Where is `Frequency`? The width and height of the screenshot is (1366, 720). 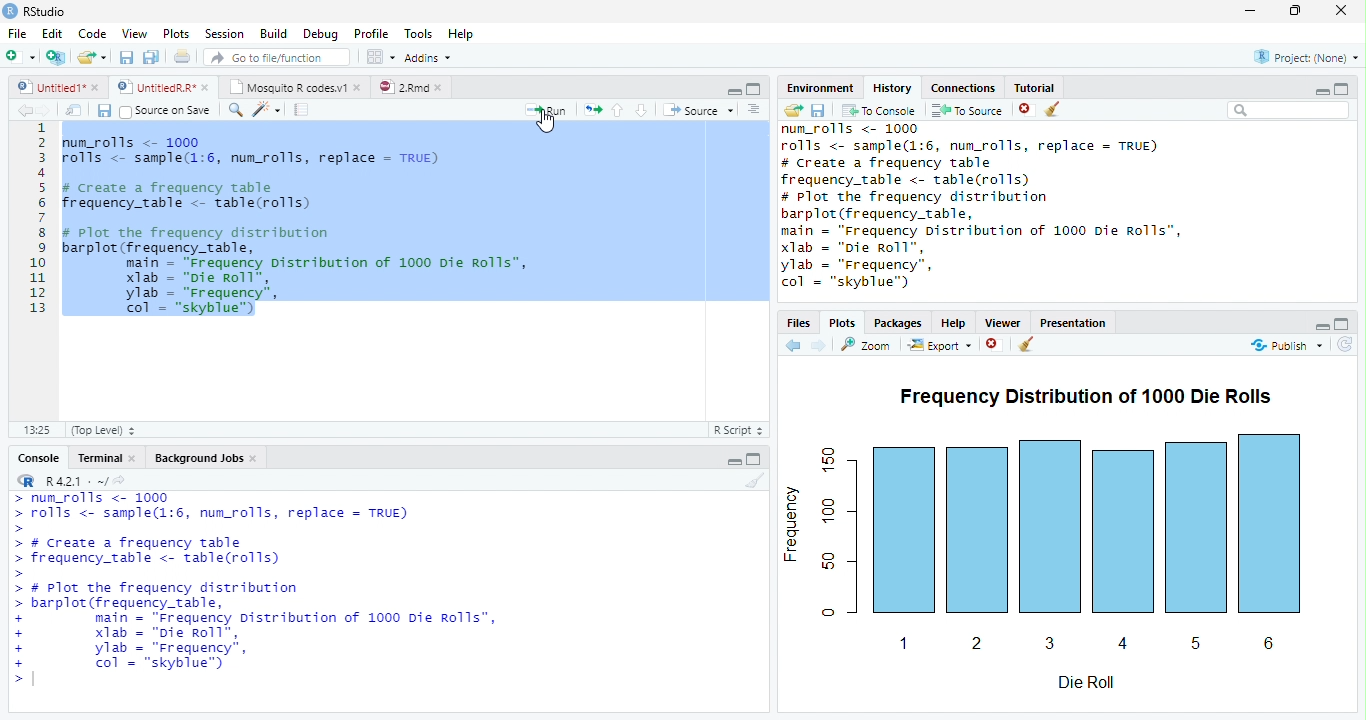 Frequency is located at coordinates (792, 527).